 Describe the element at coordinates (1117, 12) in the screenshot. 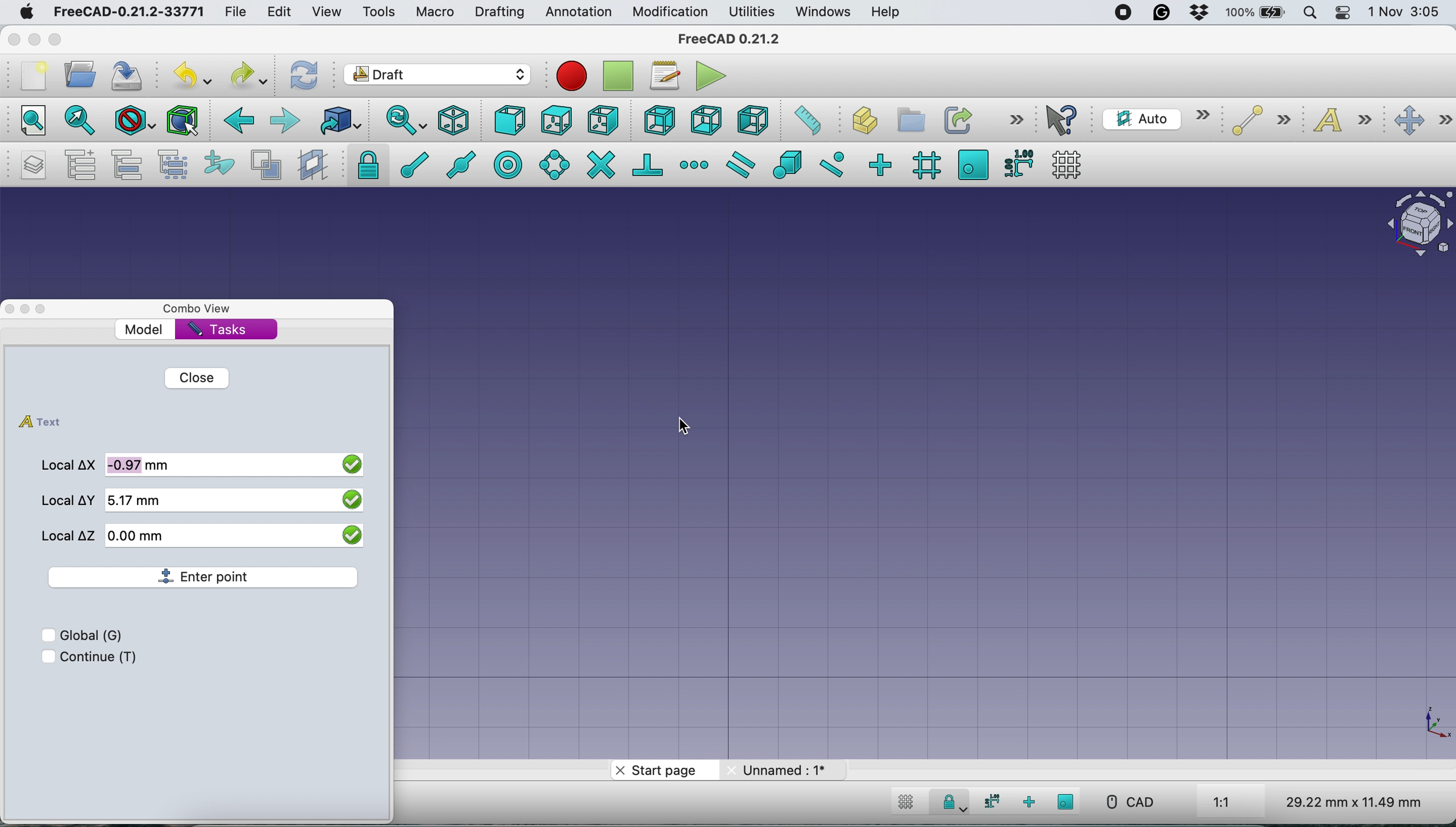

I see `screen recorder` at that location.